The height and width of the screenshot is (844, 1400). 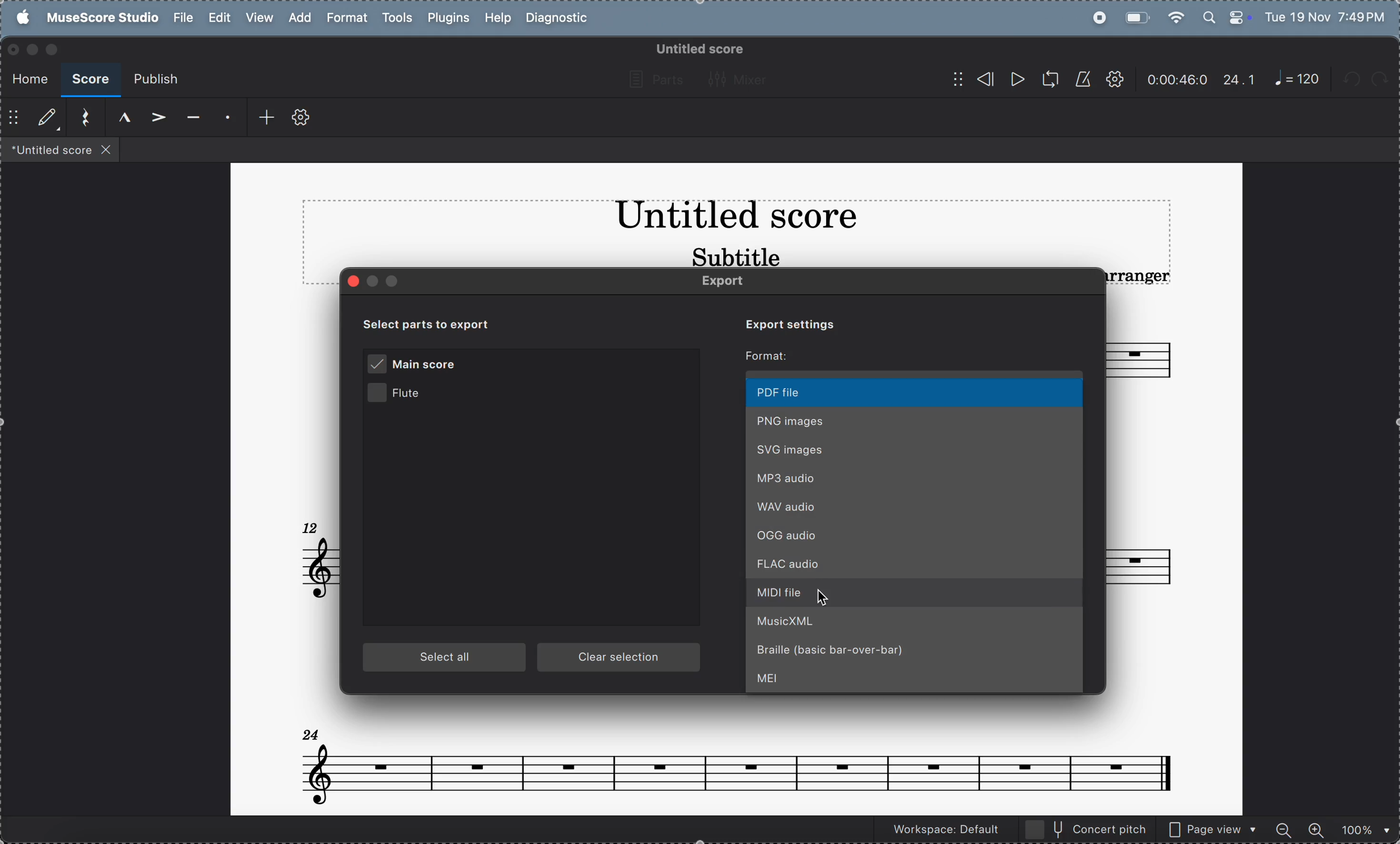 What do you see at coordinates (1315, 828) in the screenshot?
I see `zoom in` at bounding box center [1315, 828].